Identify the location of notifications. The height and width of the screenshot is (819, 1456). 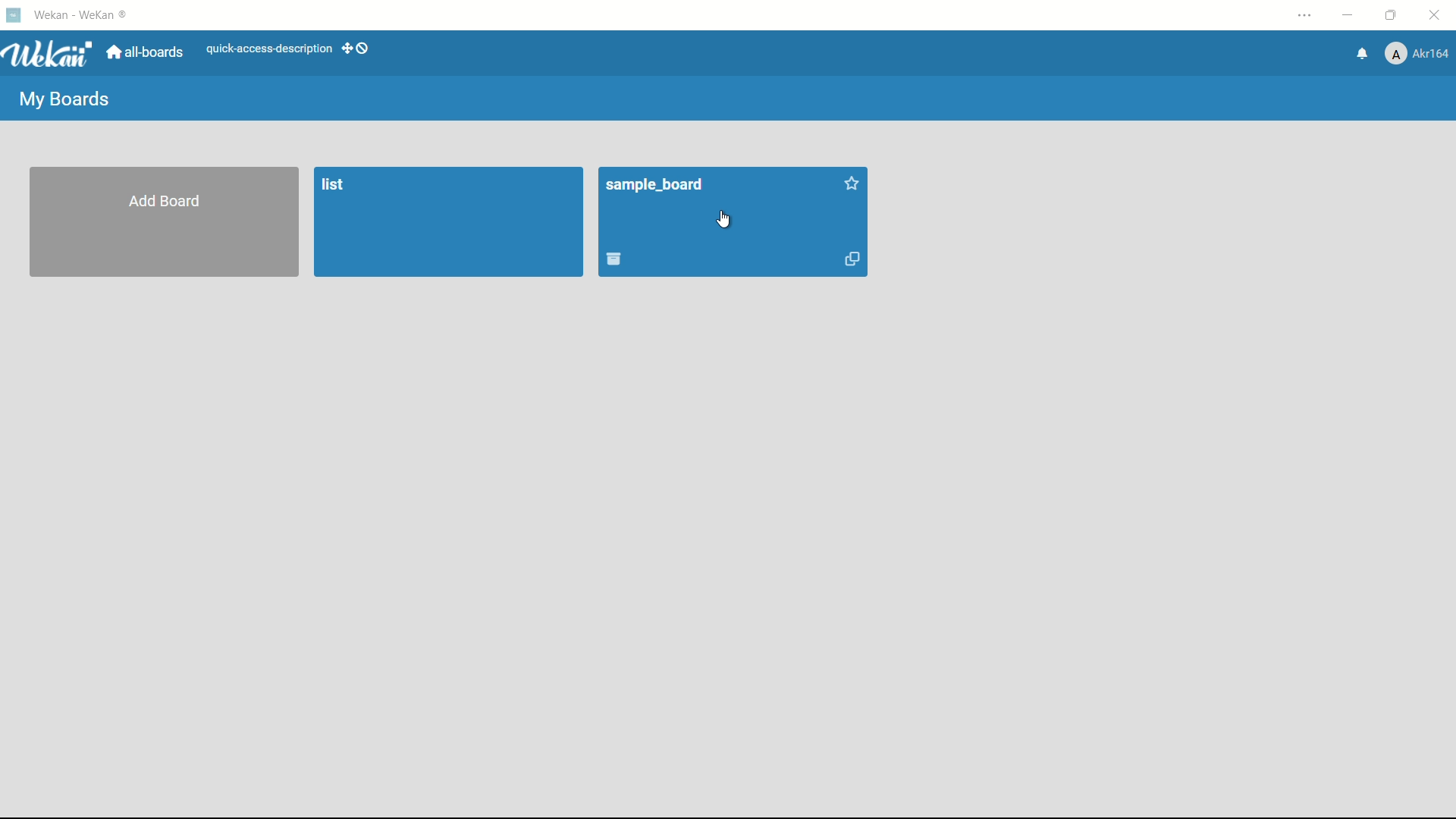
(1362, 53).